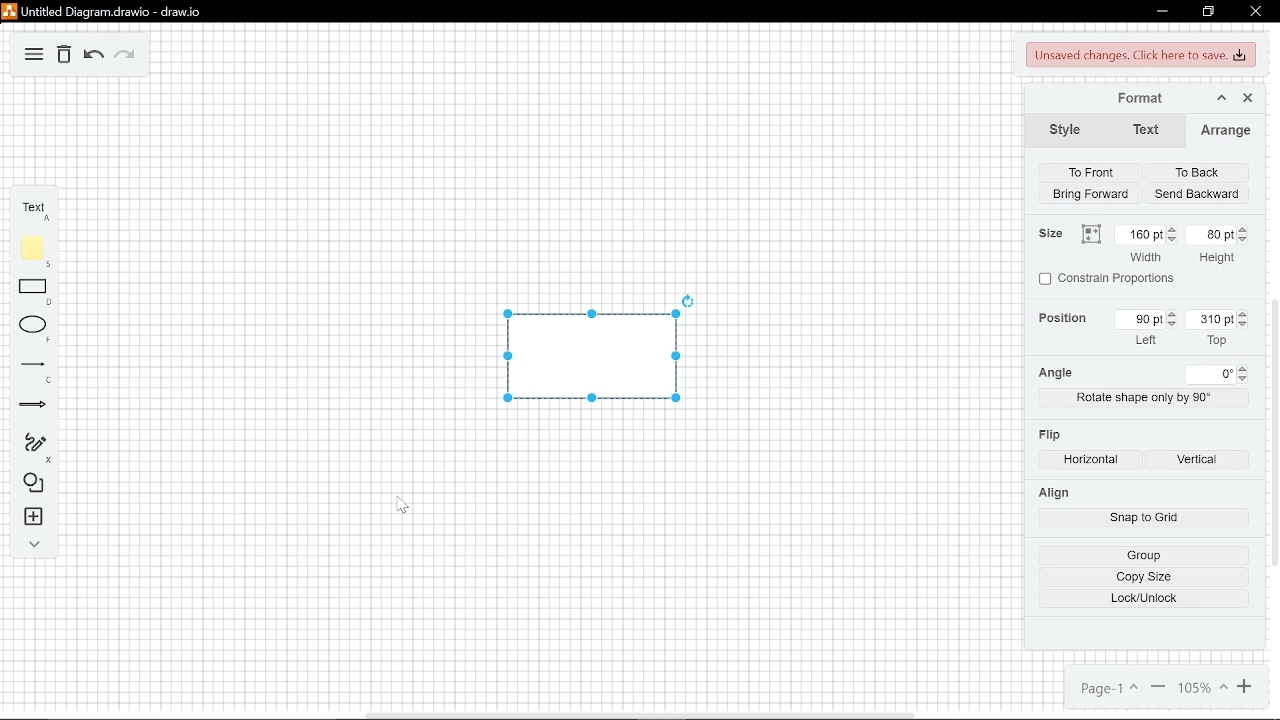 The image size is (1280, 720). I want to click on current angle, so click(1210, 376).